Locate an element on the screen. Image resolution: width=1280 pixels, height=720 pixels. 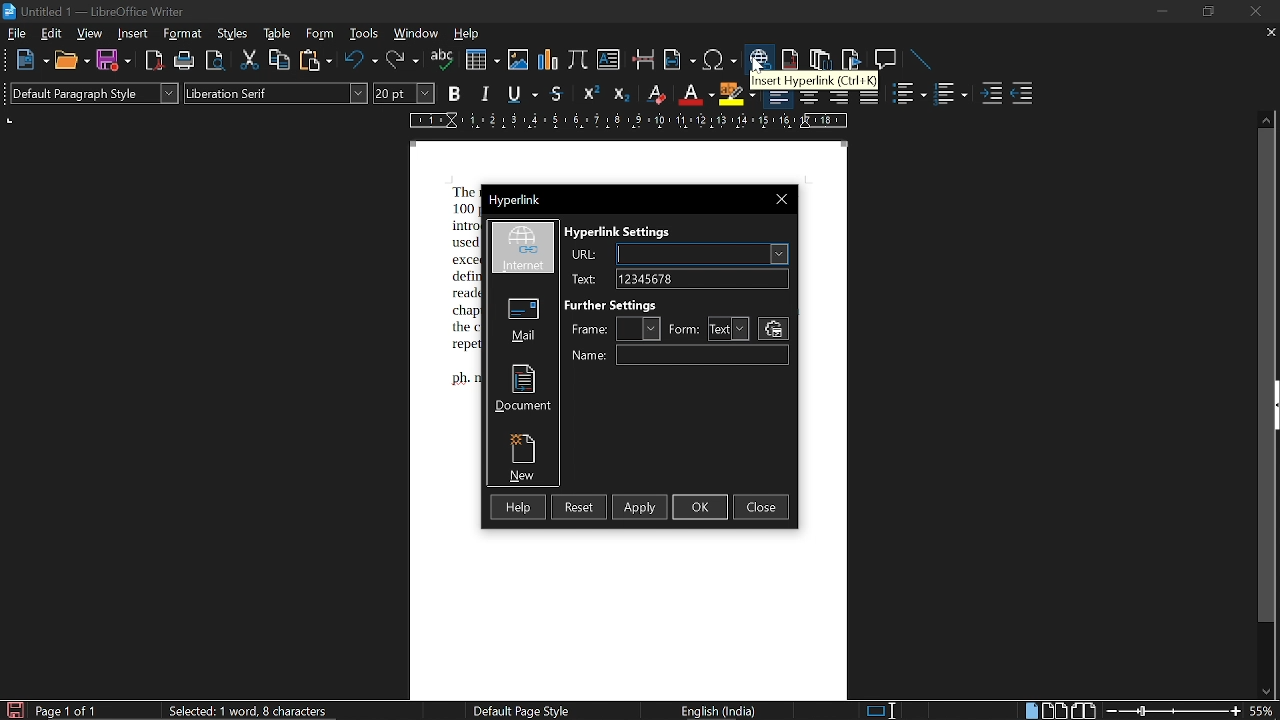
table is located at coordinates (278, 35).